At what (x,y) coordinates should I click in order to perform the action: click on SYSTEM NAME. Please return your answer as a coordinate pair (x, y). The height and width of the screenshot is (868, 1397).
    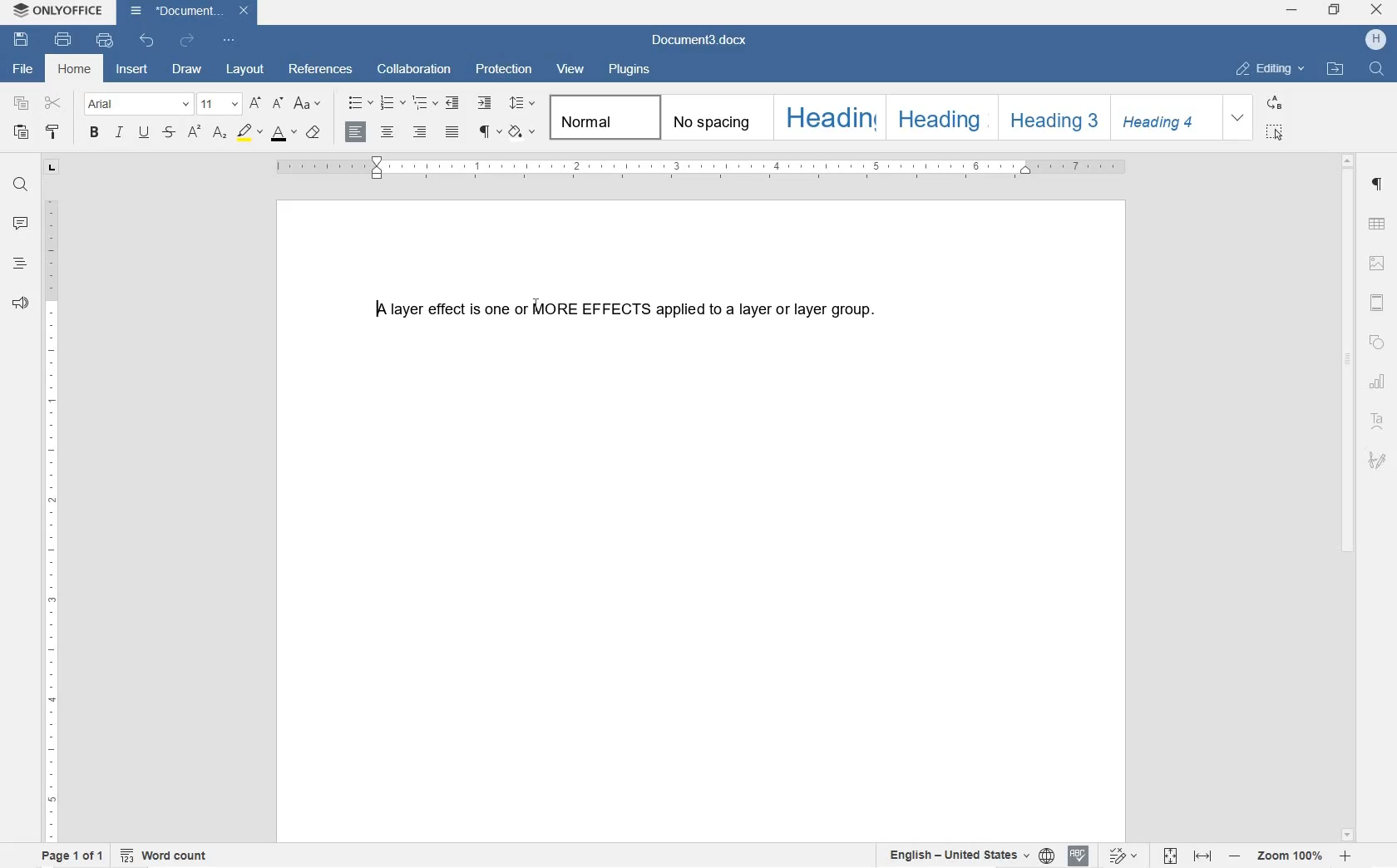
    Looking at the image, I should click on (58, 8).